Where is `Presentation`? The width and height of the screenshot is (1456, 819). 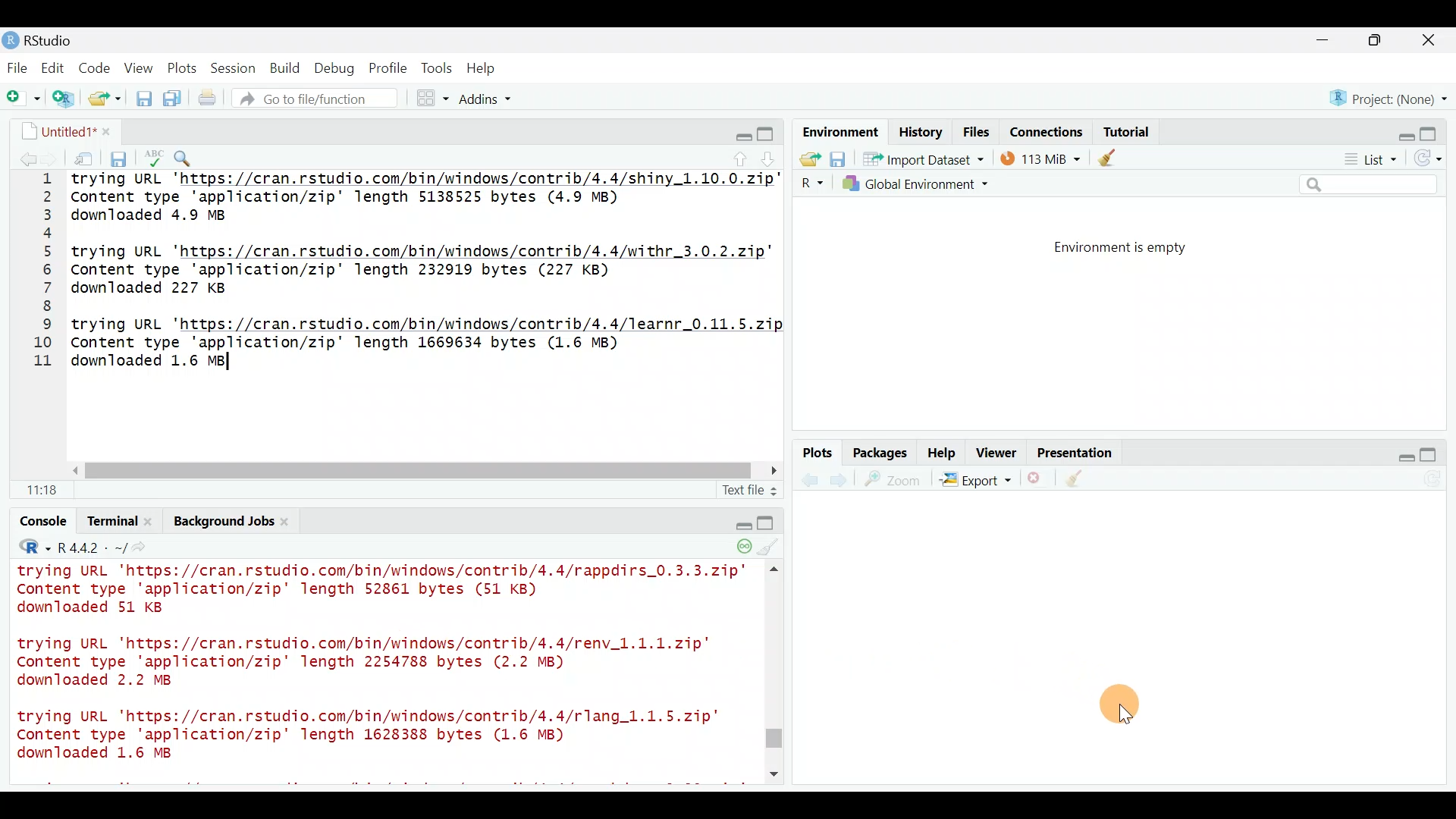 Presentation is located at coordinates (1078, 453).